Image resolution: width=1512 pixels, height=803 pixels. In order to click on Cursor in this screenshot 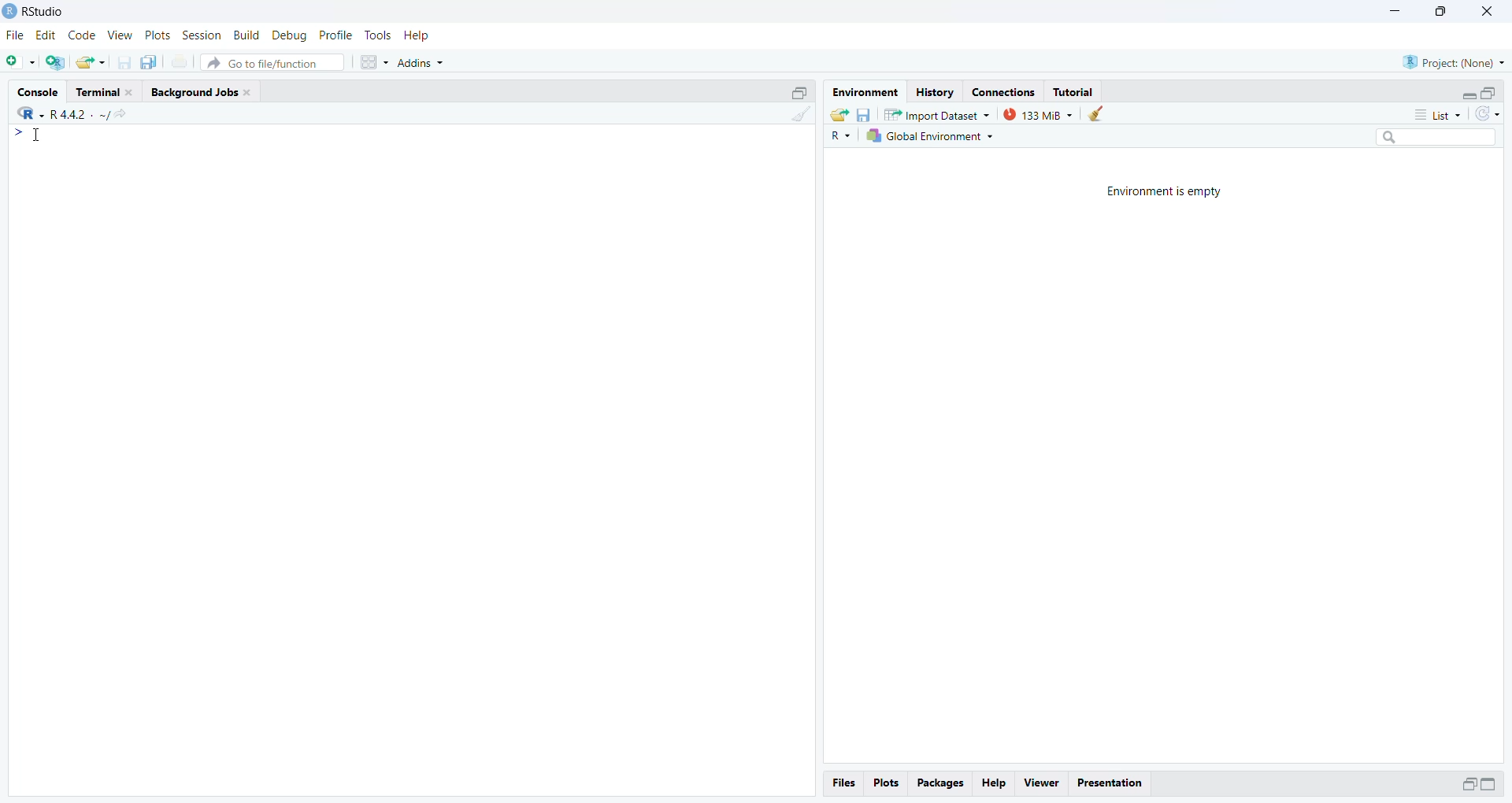, I will do `click(42, 135)`.